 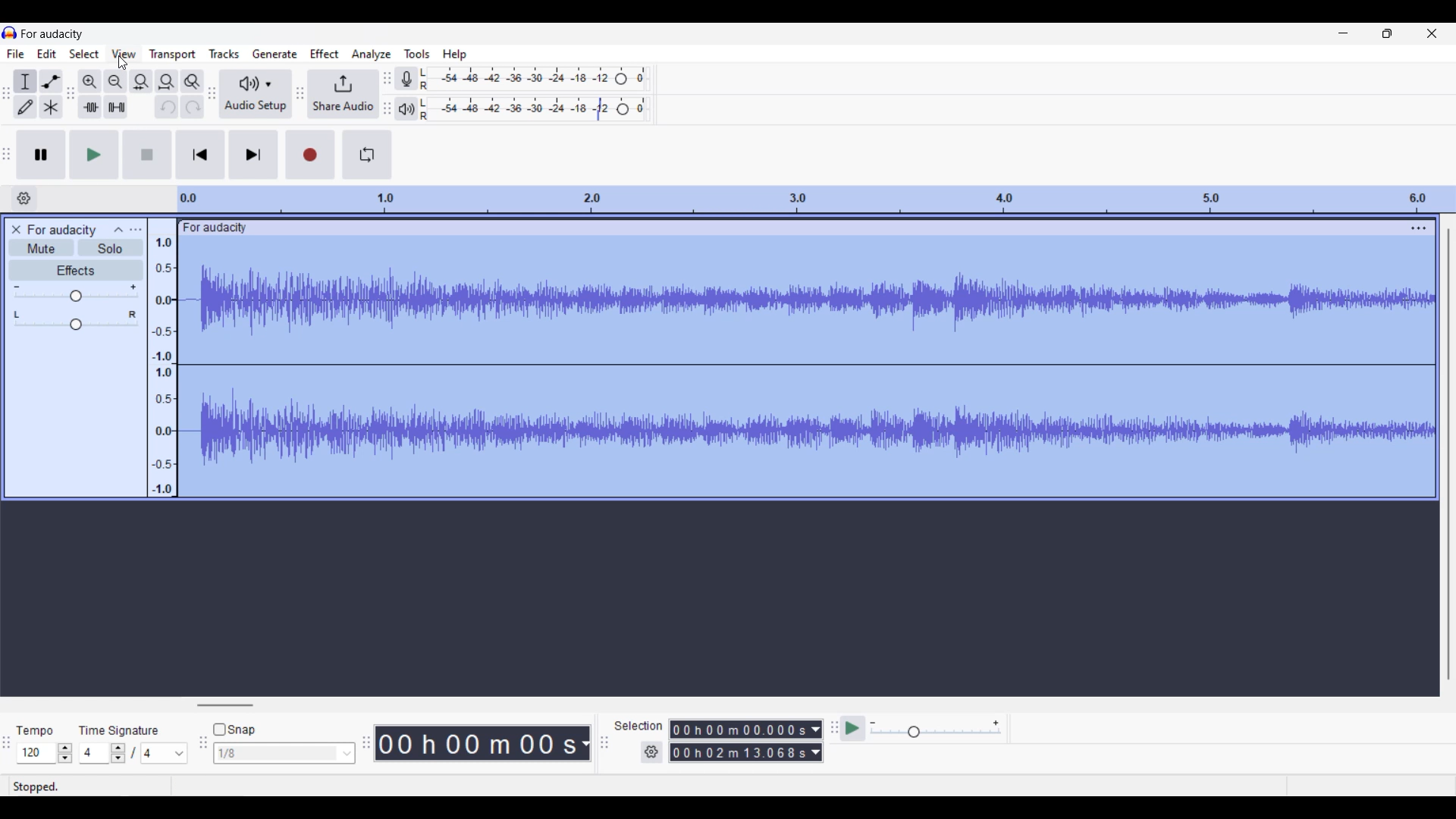 I want to click on View menu, so click(x=124, y=53).